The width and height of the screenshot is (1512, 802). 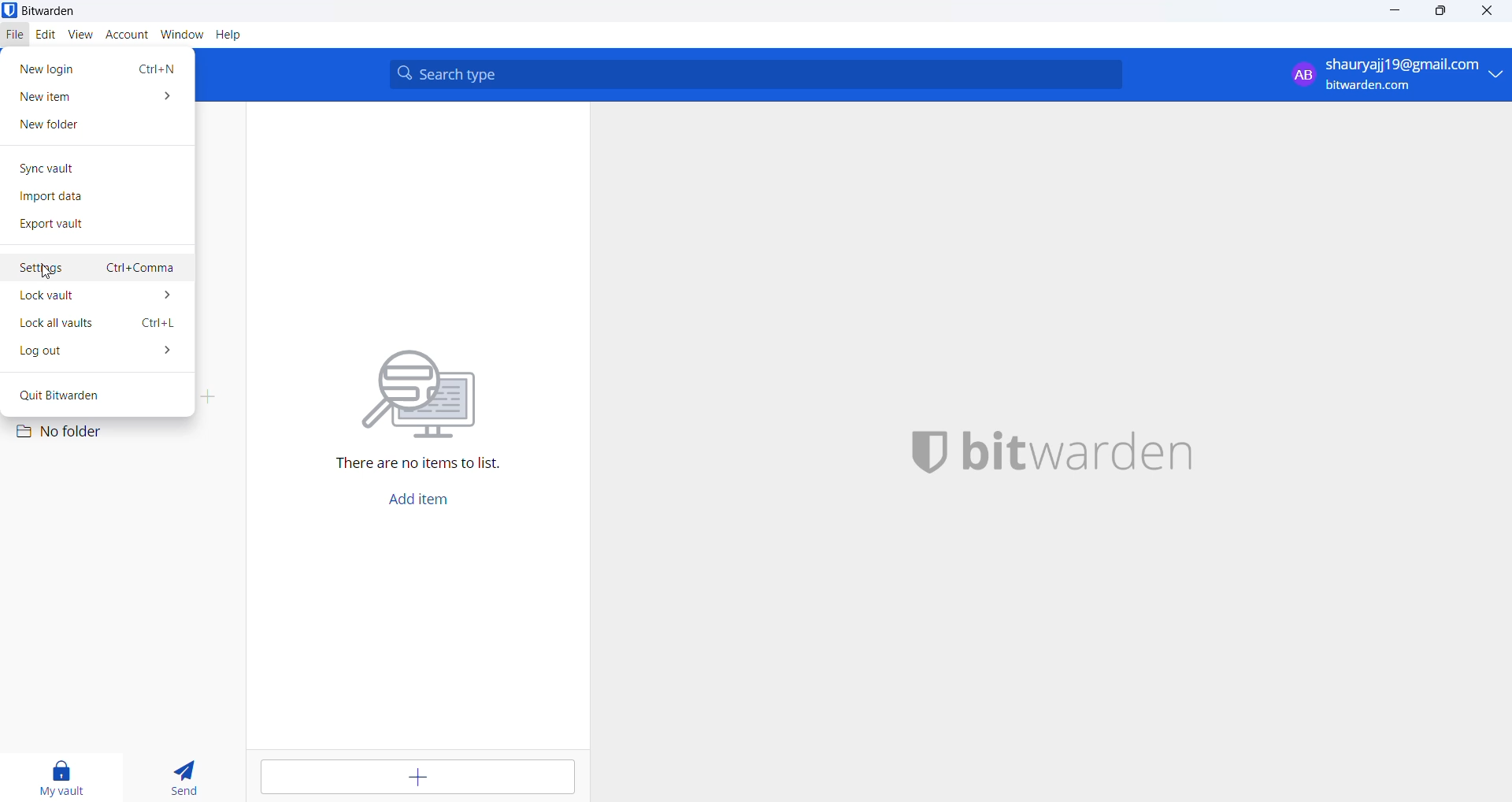 I want to click on new folder, so click(x=96, y=127).